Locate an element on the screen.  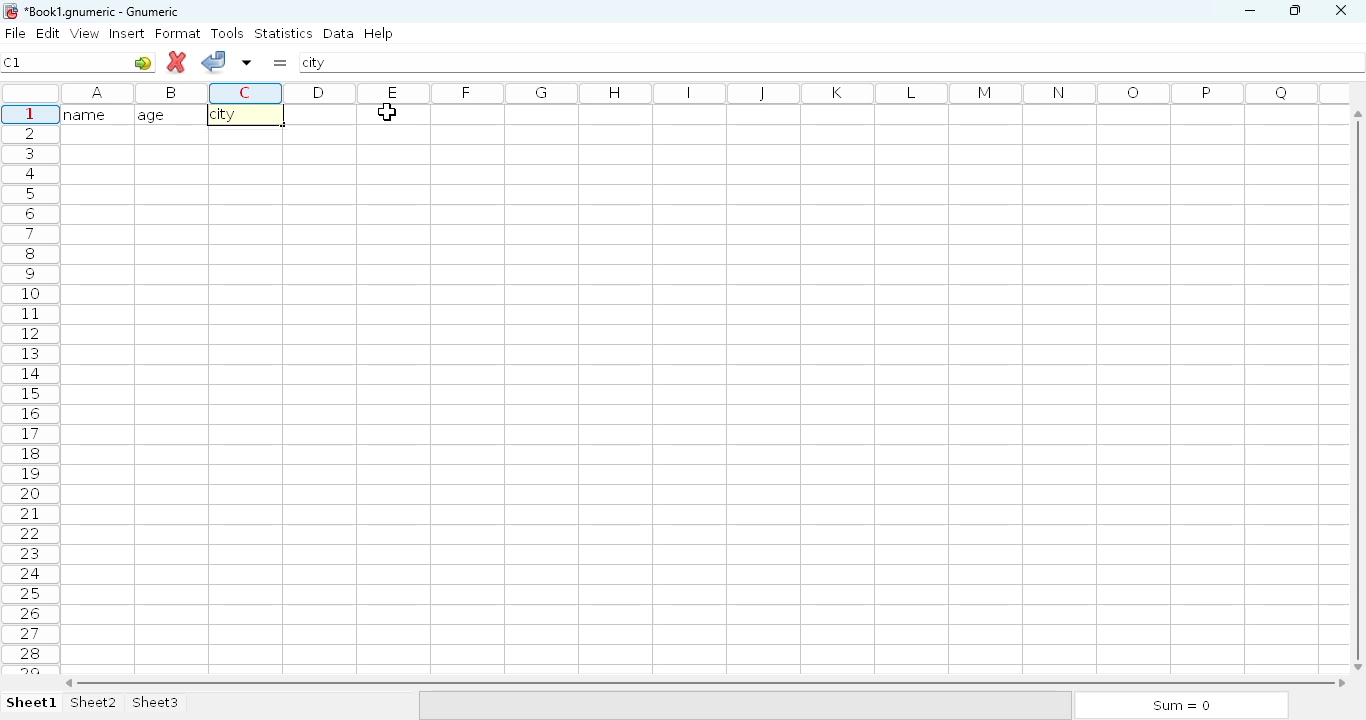
file is located at coordinates (15, 33).